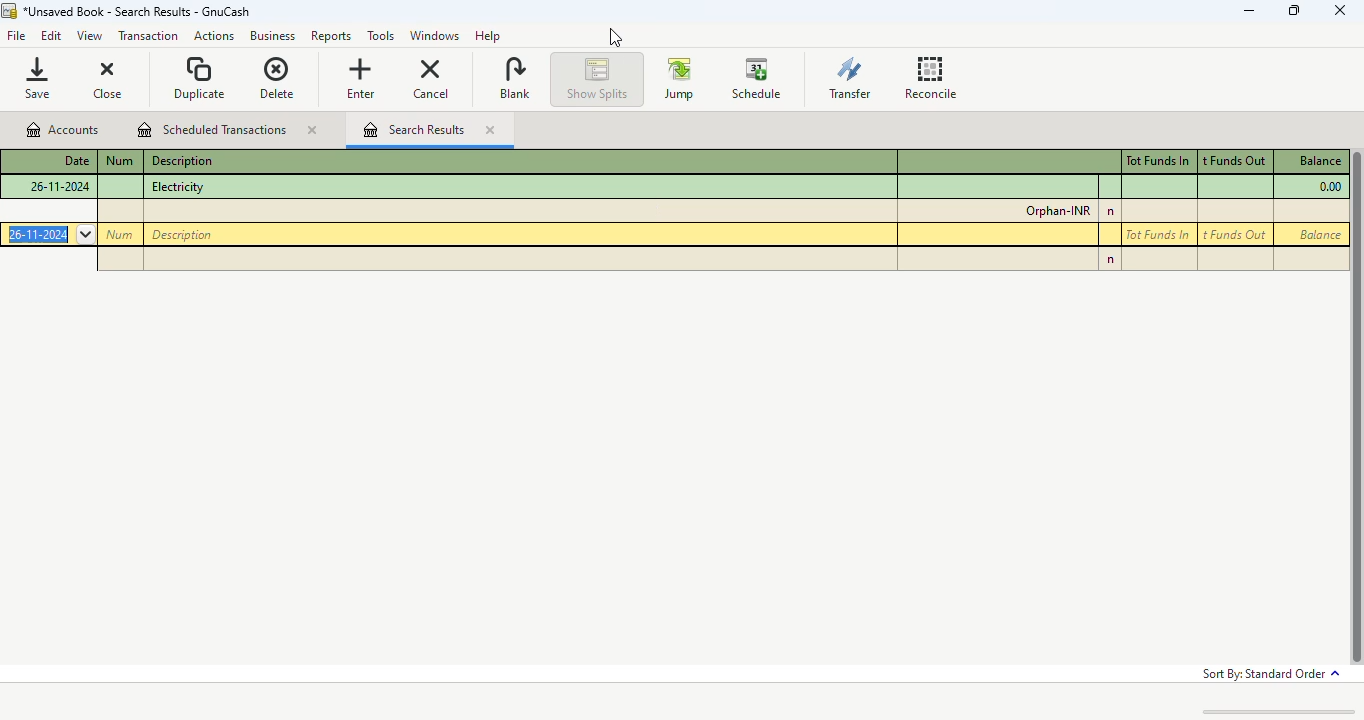  What do you see at coordinates (679, 78) in the screenshot?
I see `jump` at bounding box center [679, 78].